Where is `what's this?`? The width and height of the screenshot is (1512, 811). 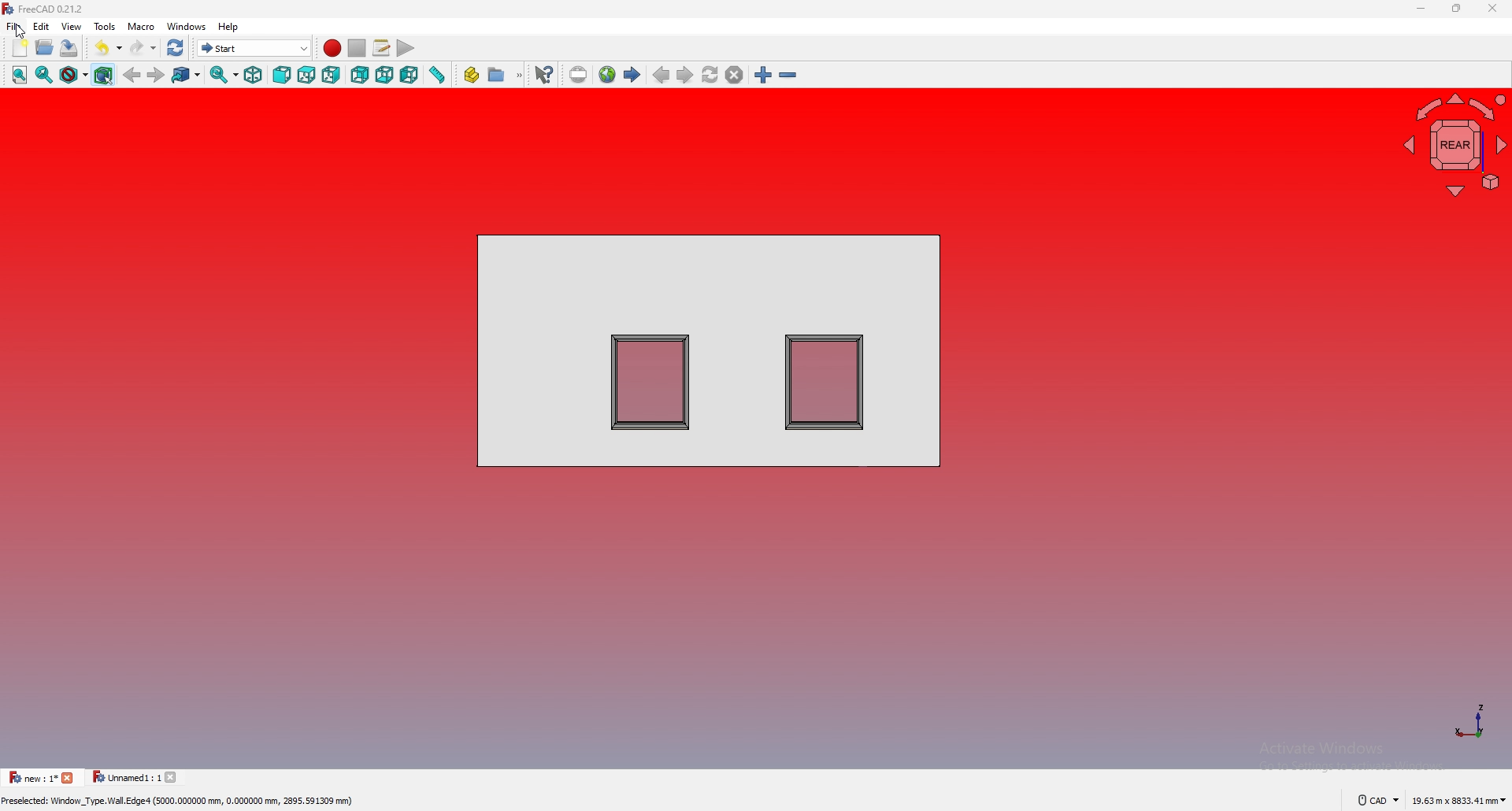
what's this? is located at coordinates (543, 74).